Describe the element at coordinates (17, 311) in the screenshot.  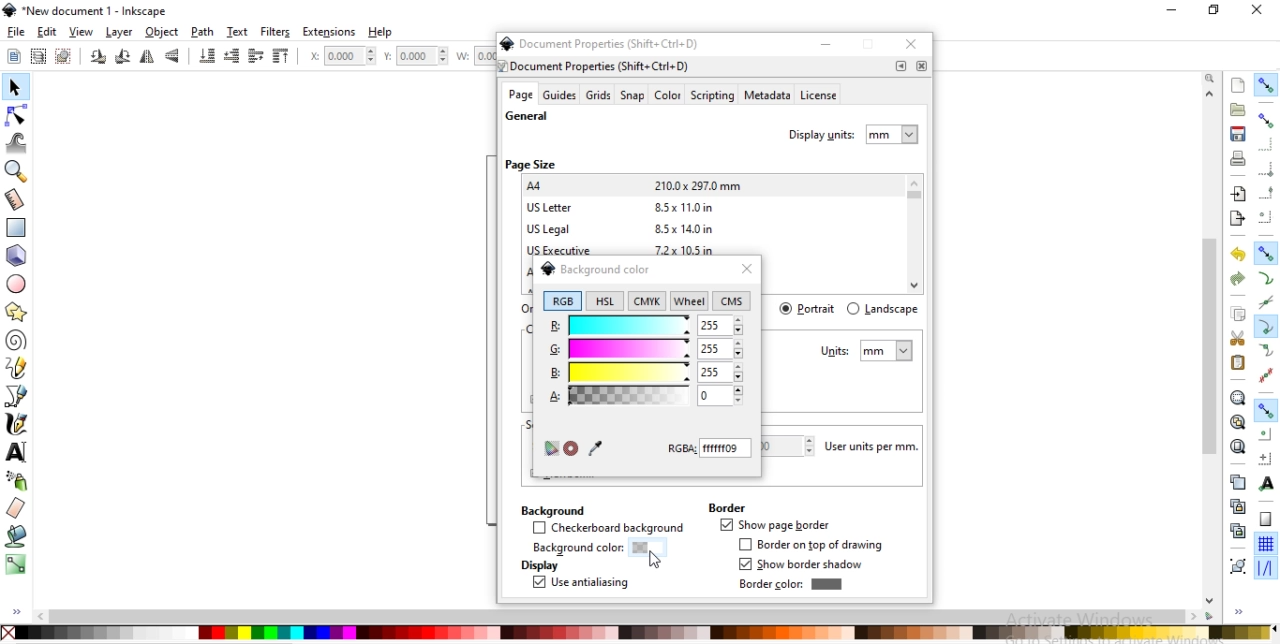
I see `create stars and polygons` at that location.